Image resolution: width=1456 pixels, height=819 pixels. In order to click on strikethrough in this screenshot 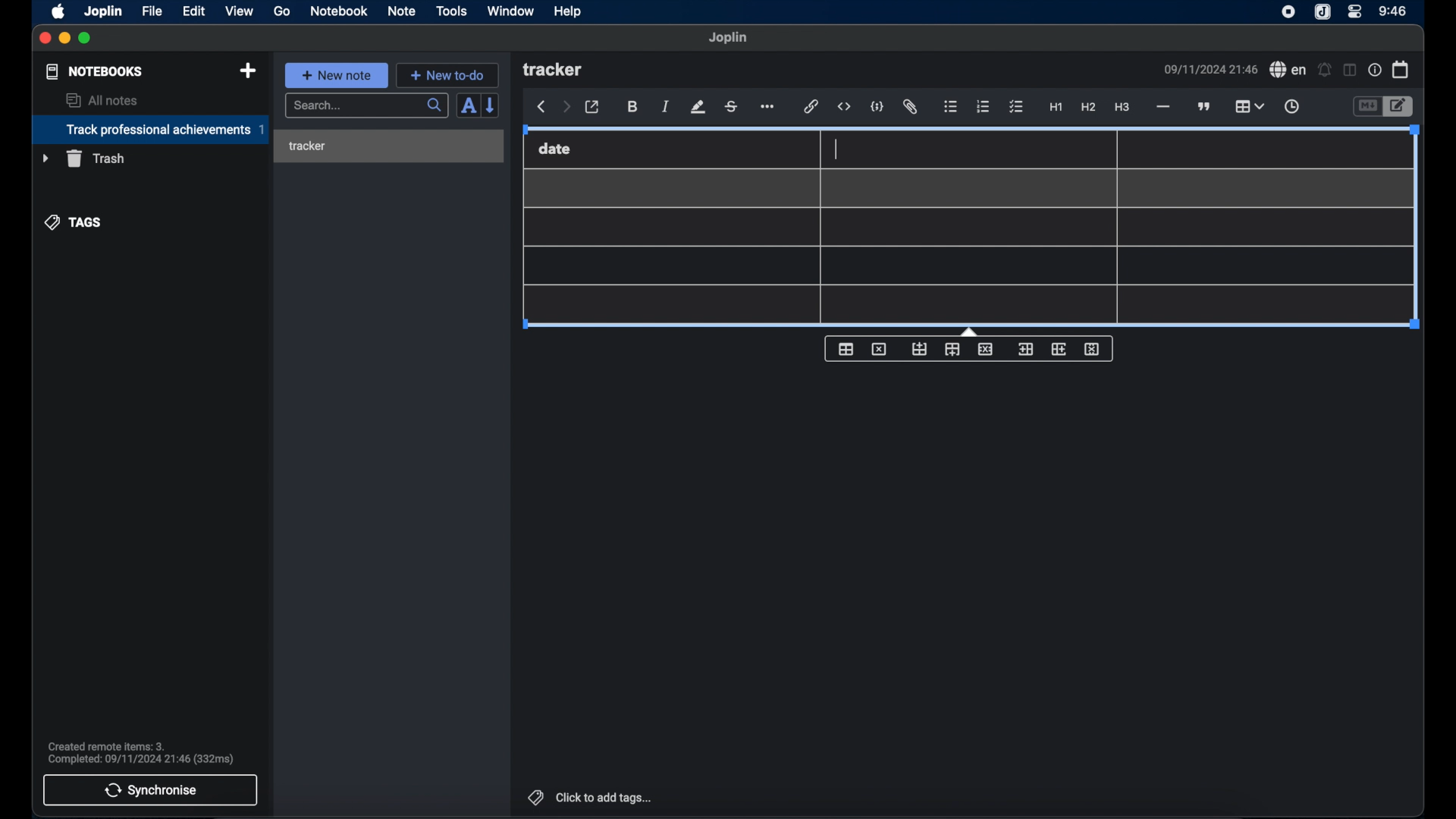, I will do `click(732, 106)`.